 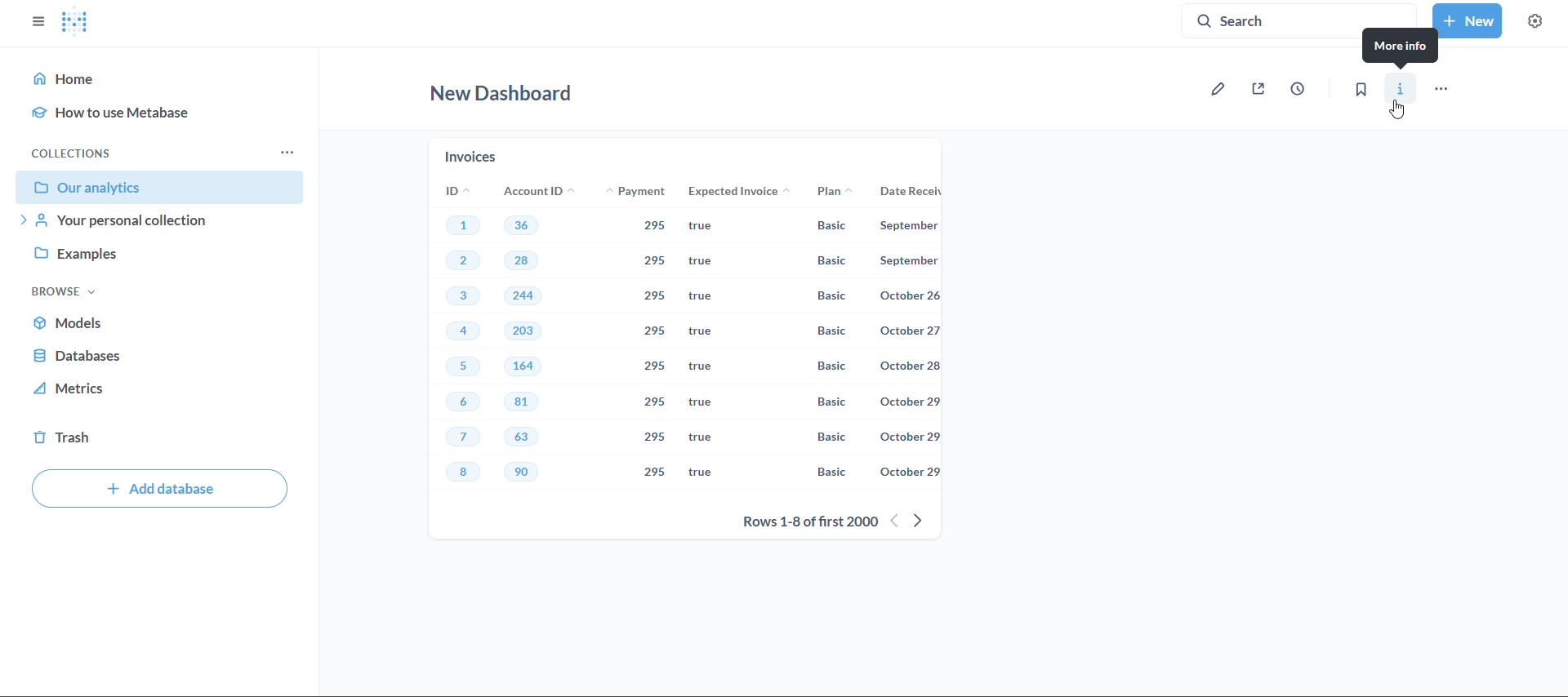 What do you see at coordinates (707, 297) in the screenshot?
I see `true` at bounding box center [707, 297].